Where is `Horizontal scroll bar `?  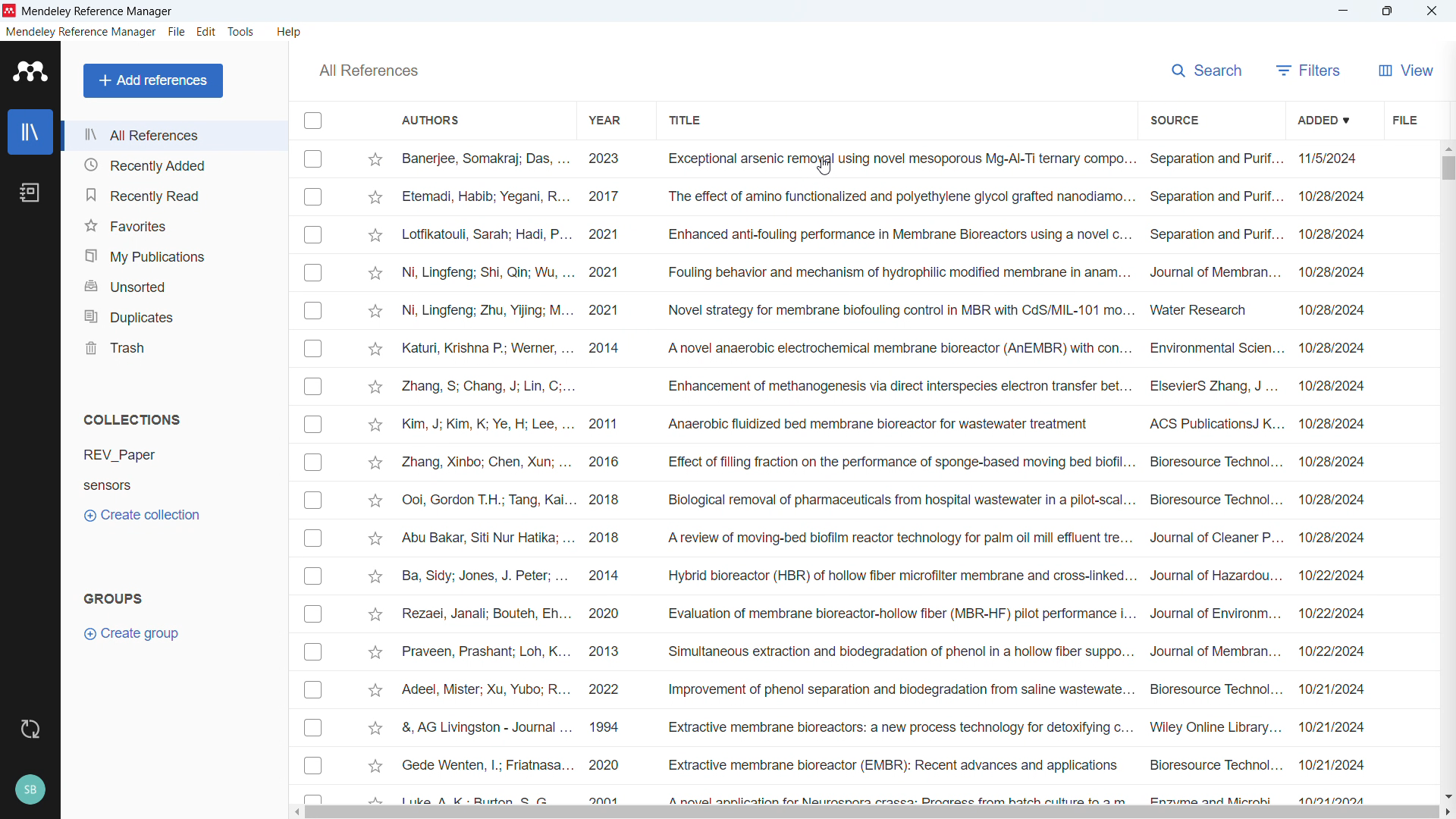 Horizontal scroll bar  is located at coordinates (869, 812).